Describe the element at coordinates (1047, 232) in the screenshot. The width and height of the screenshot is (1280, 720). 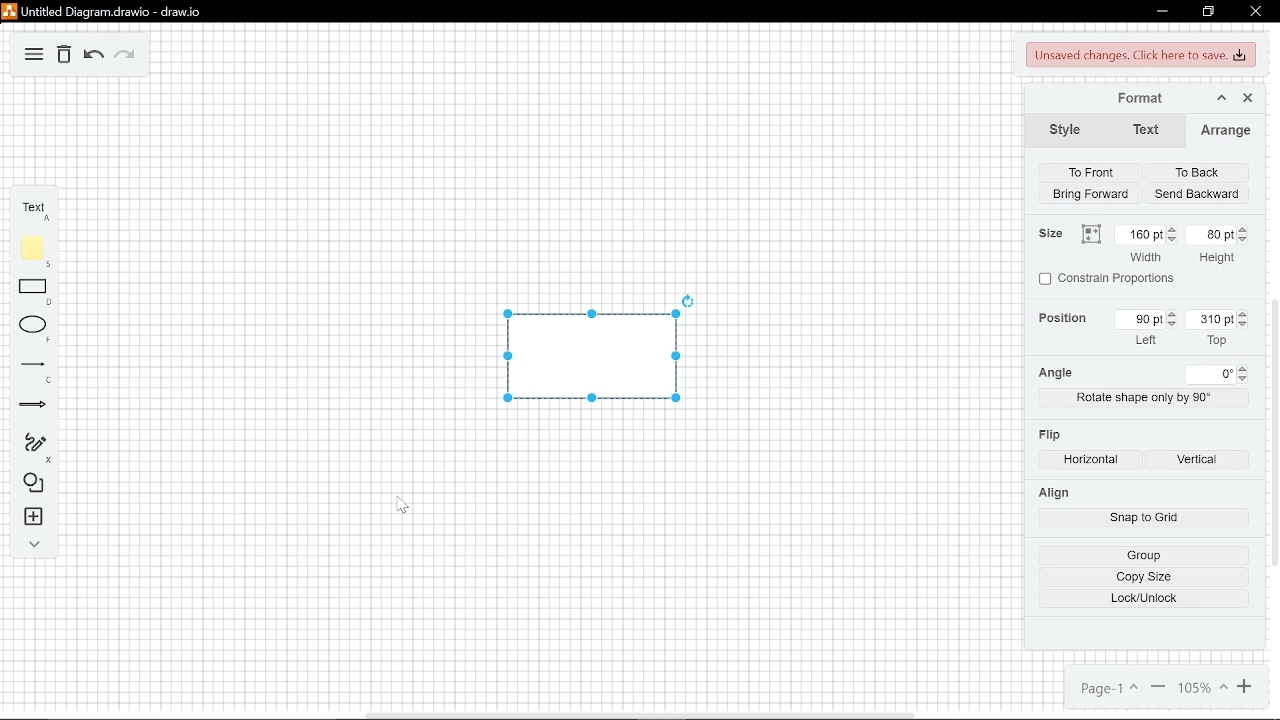
I see `size` at that location.